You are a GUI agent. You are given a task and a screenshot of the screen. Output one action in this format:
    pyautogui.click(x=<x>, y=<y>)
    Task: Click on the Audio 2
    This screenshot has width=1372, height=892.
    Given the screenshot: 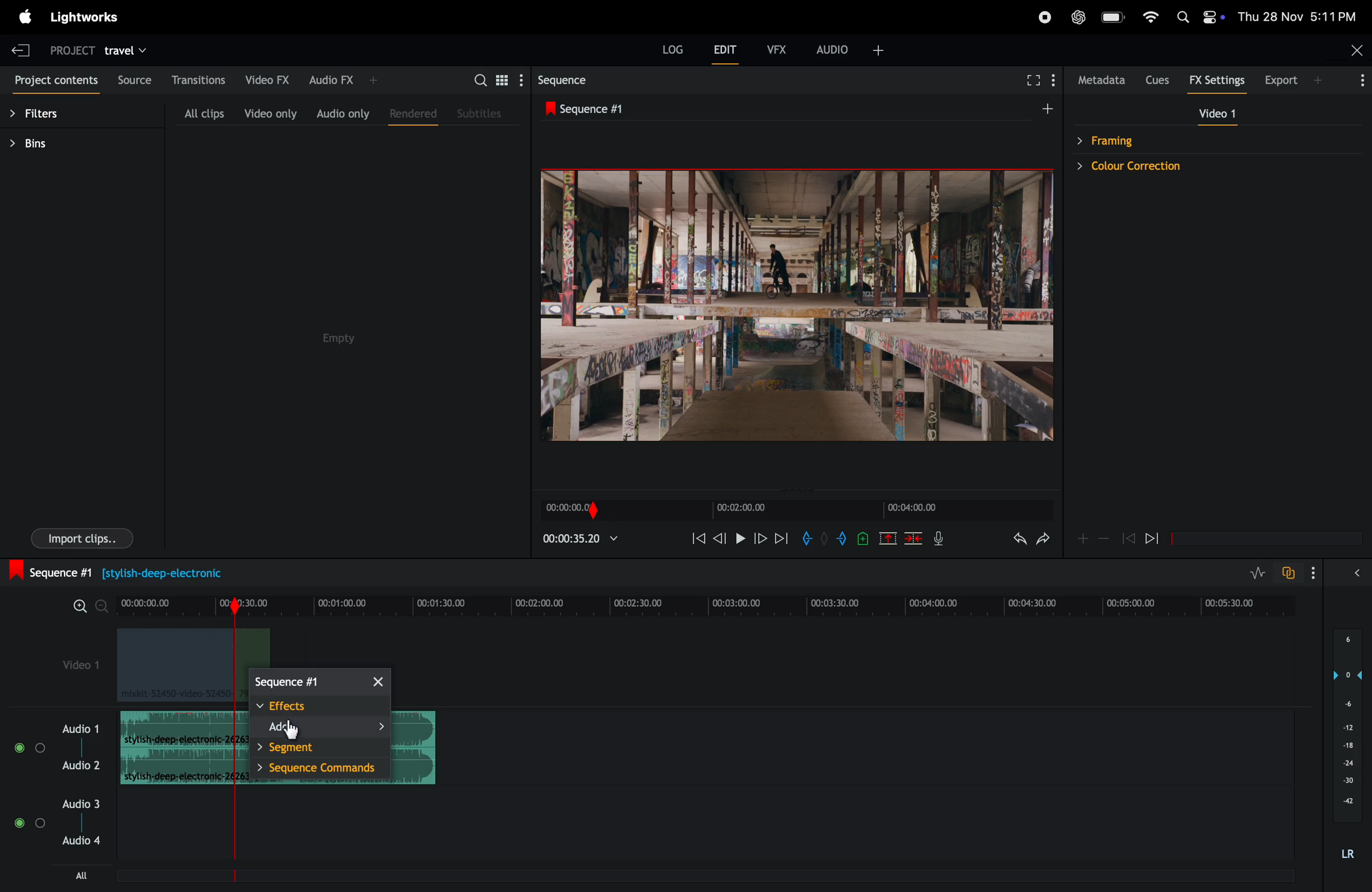 What is the action you would take?
    pyautogui.click(x=82, y=766)
    